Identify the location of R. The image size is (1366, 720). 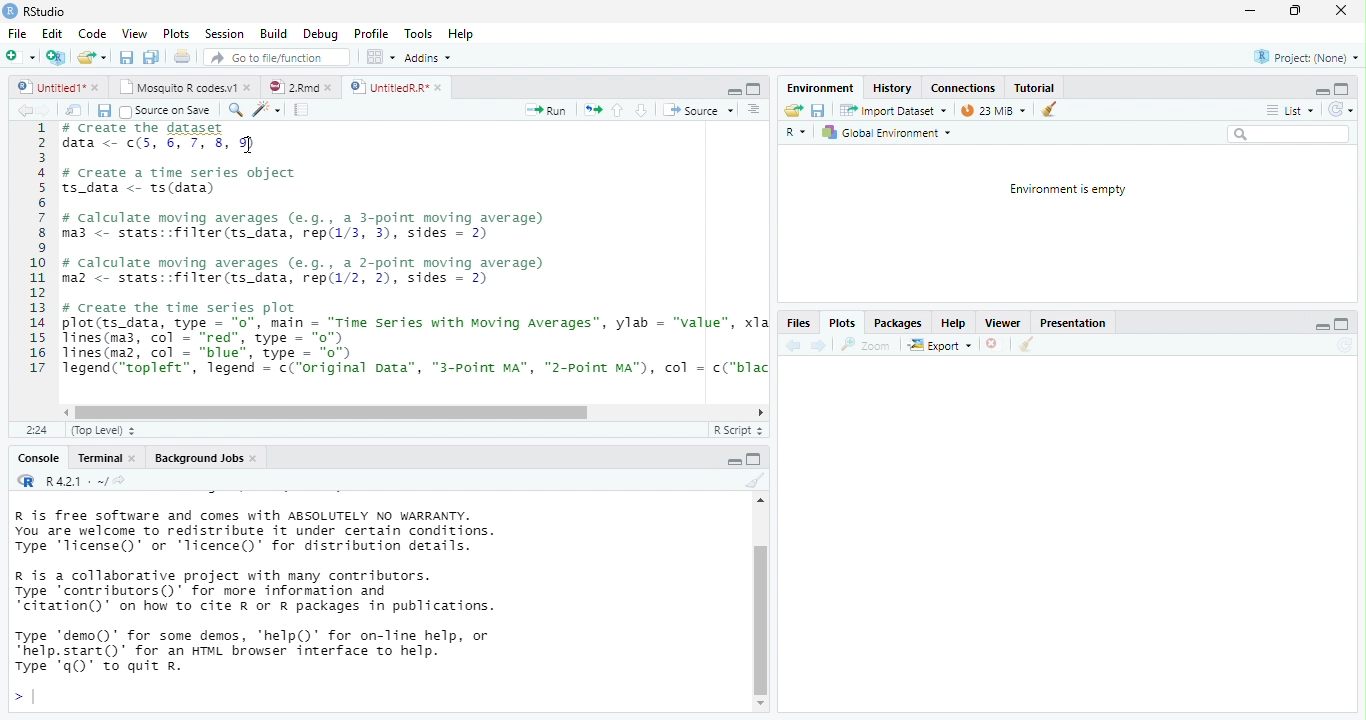
(24, 480).